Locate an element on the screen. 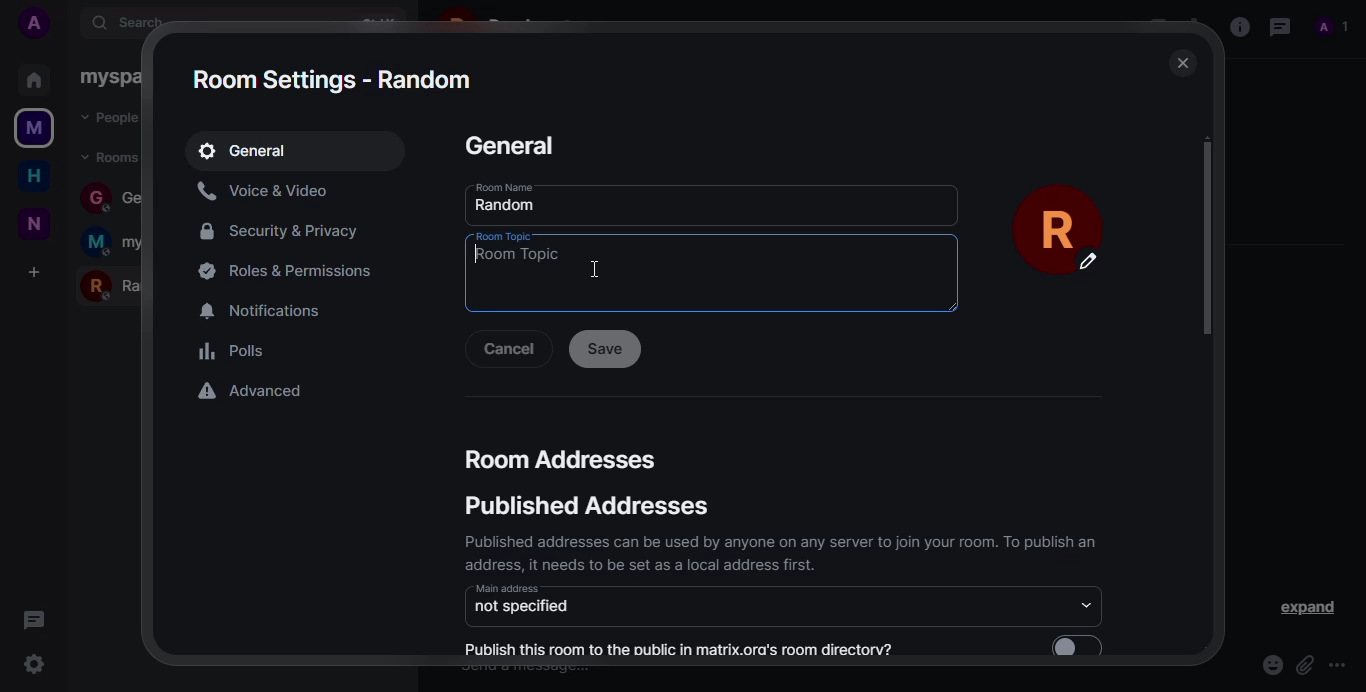 The image size is (1366, 692). drop down is located at coordinates (1081, 606).